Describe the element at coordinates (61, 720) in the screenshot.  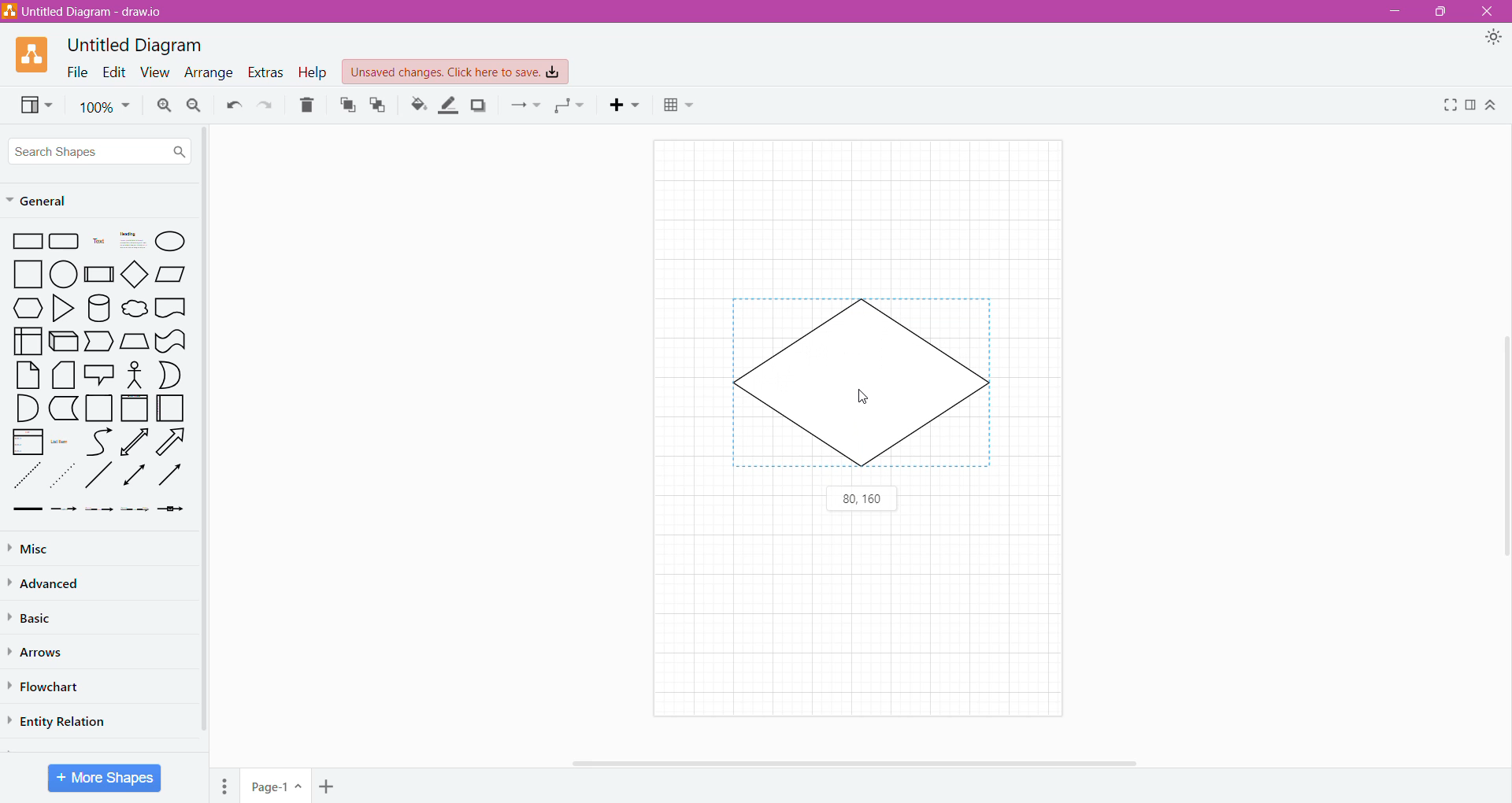
I see `Entity Relation` at that location.